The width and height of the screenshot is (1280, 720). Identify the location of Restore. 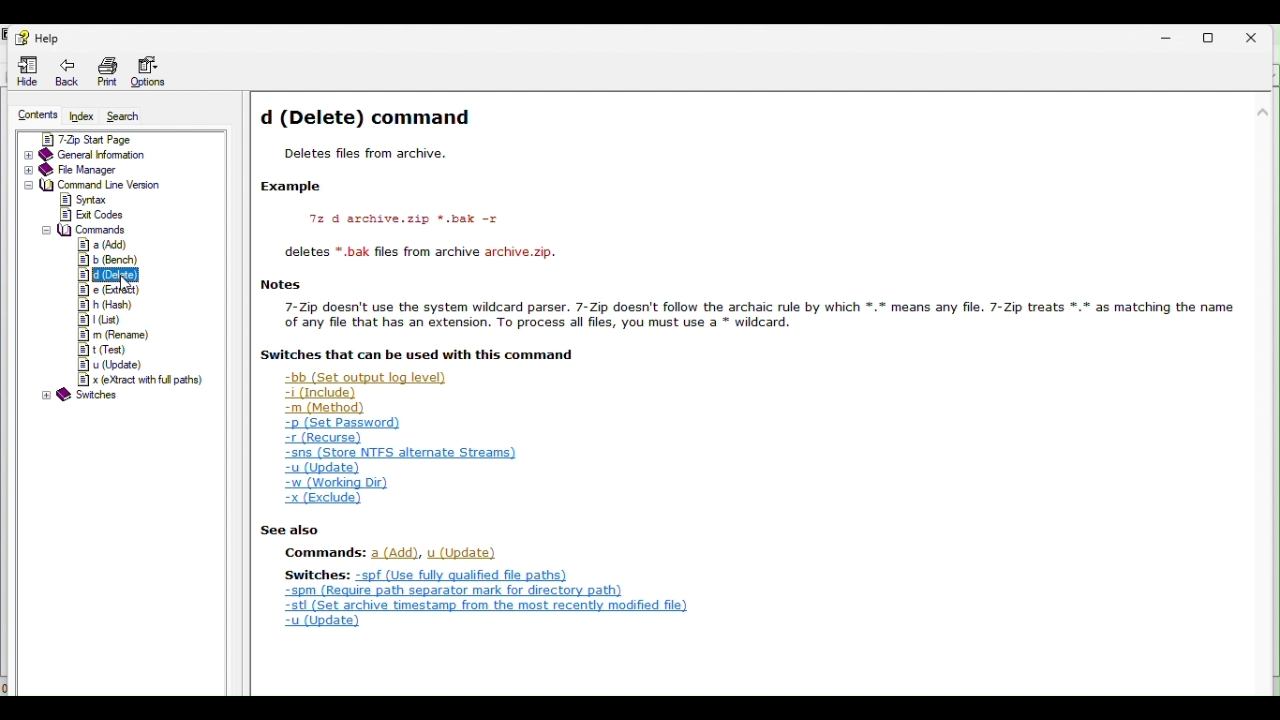
(1220, 34).